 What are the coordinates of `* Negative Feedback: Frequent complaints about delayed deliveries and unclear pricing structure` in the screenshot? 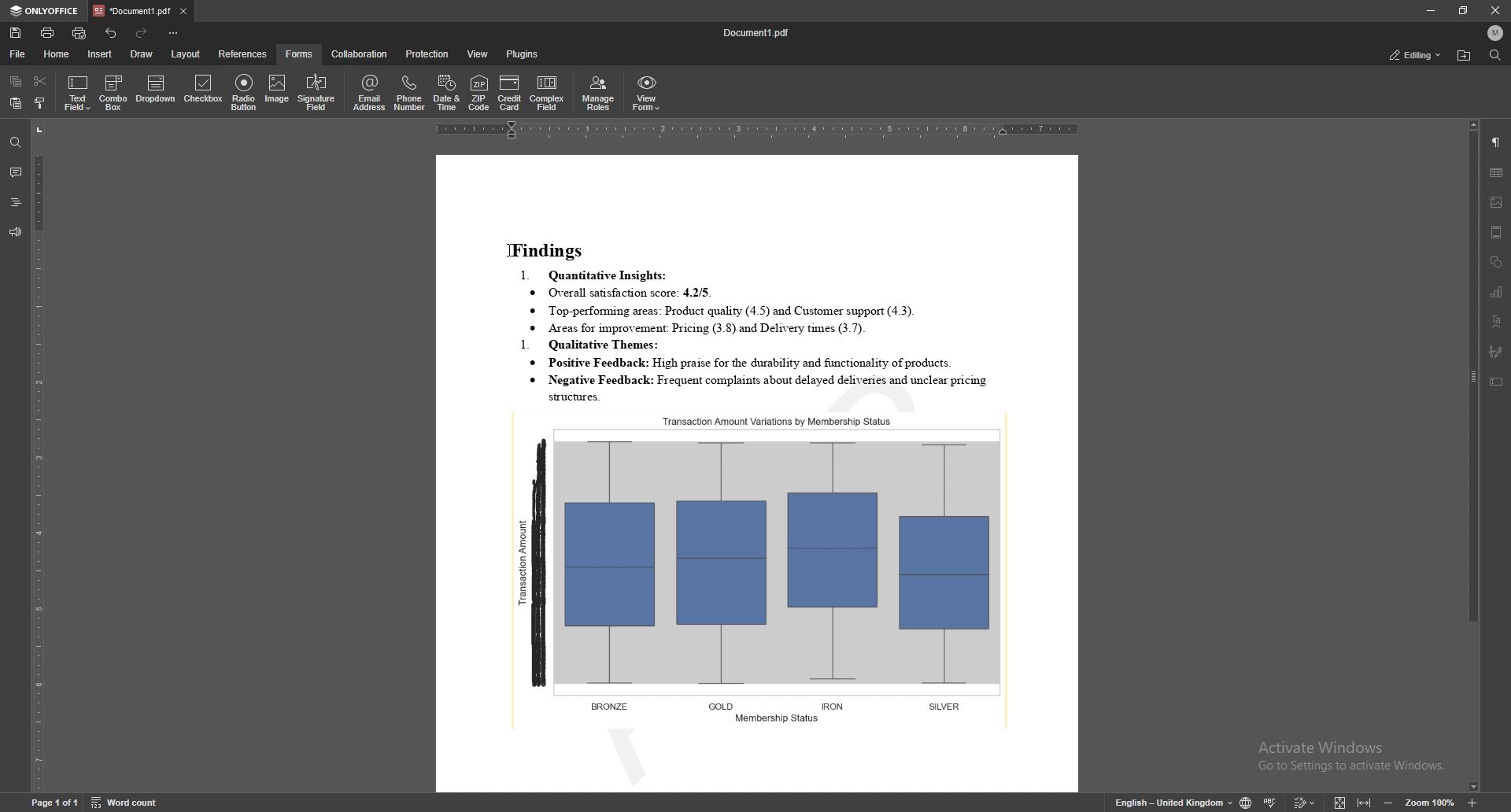 It's located at (764, 388).